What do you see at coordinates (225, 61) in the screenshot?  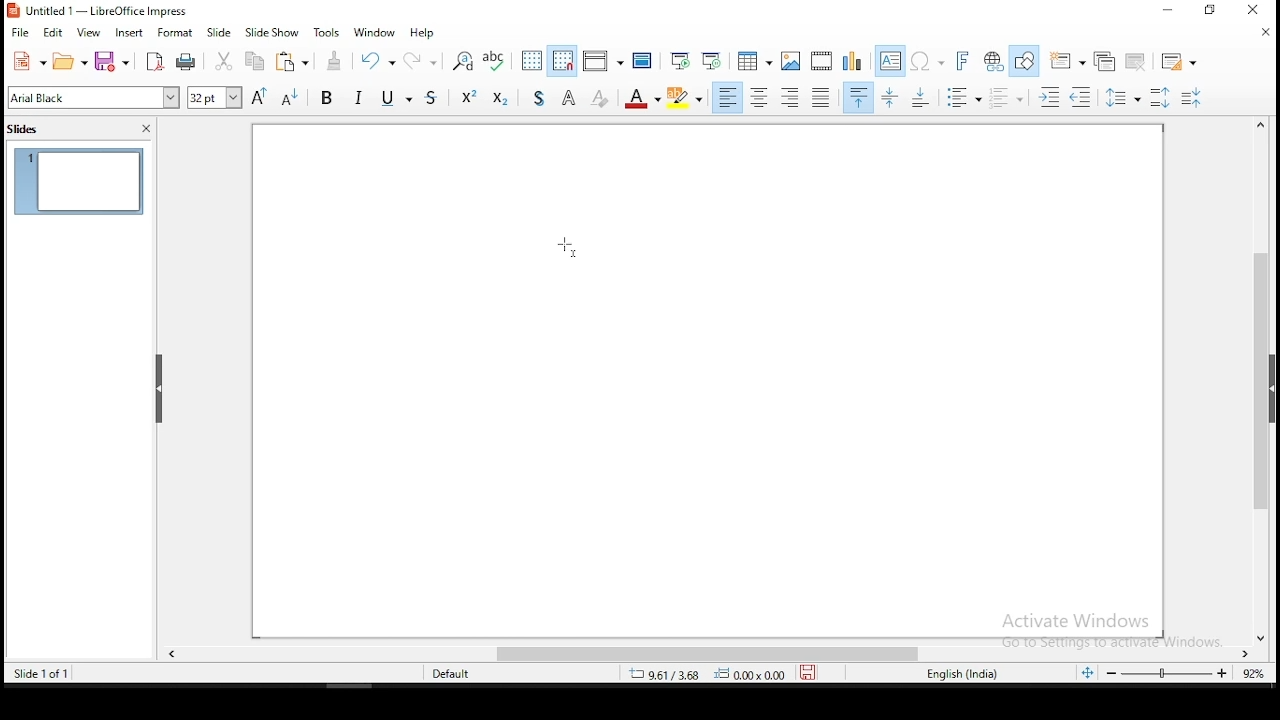 I see `cut` at bounding box center [225, 61].